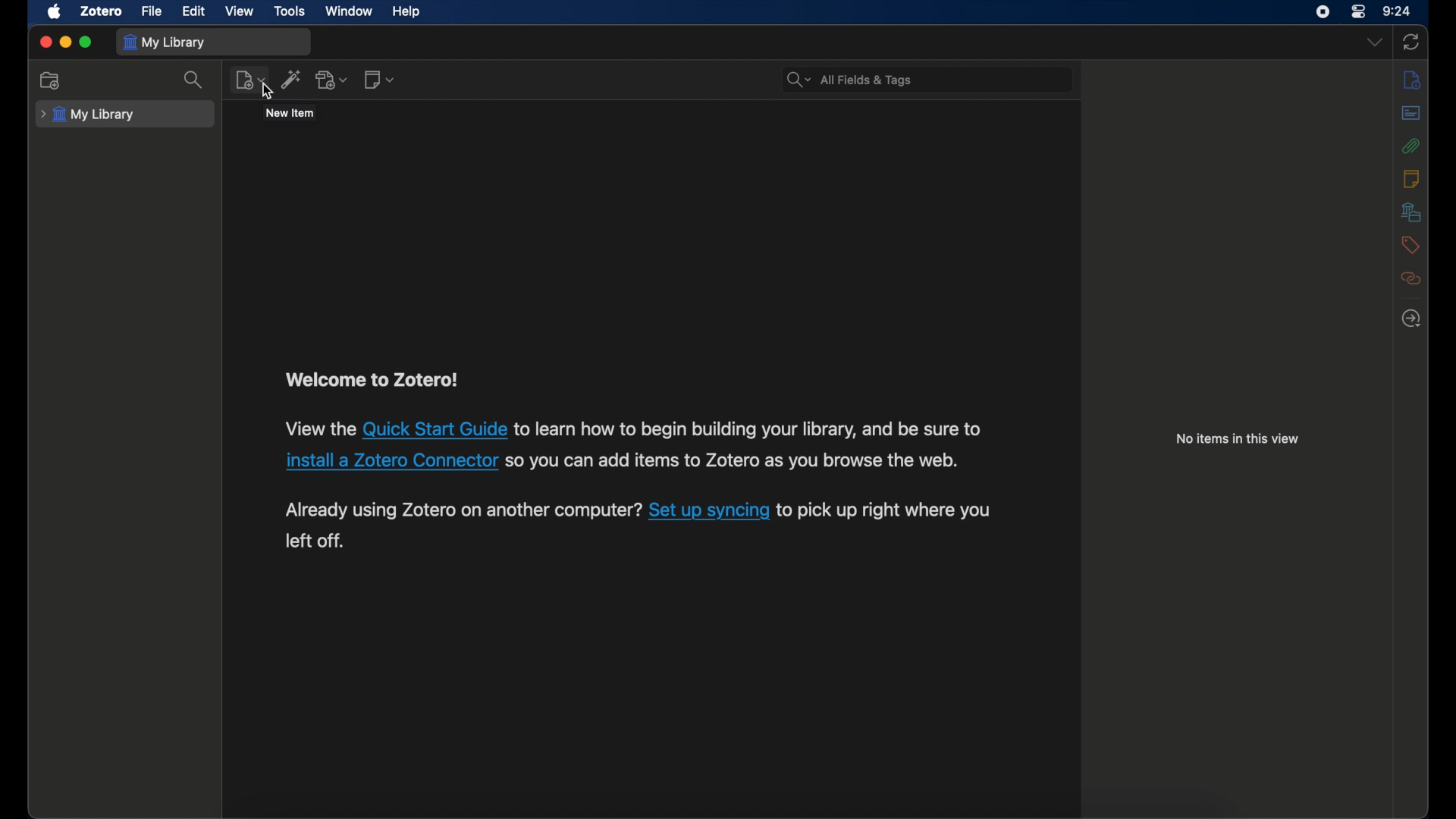  I want to click on my library, so click(87, 115).